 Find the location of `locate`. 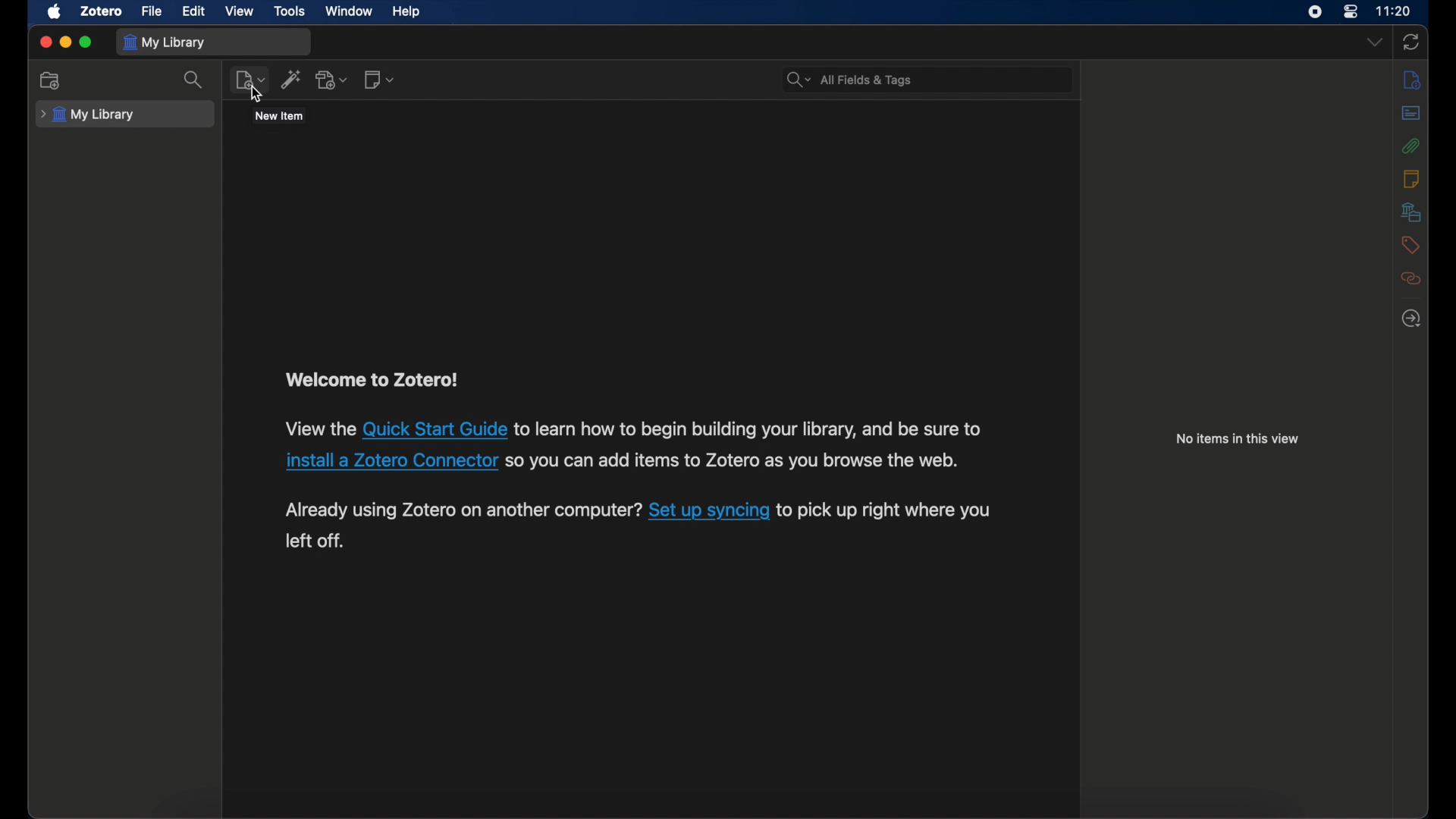

locate is located at coordinates (1410, 317).